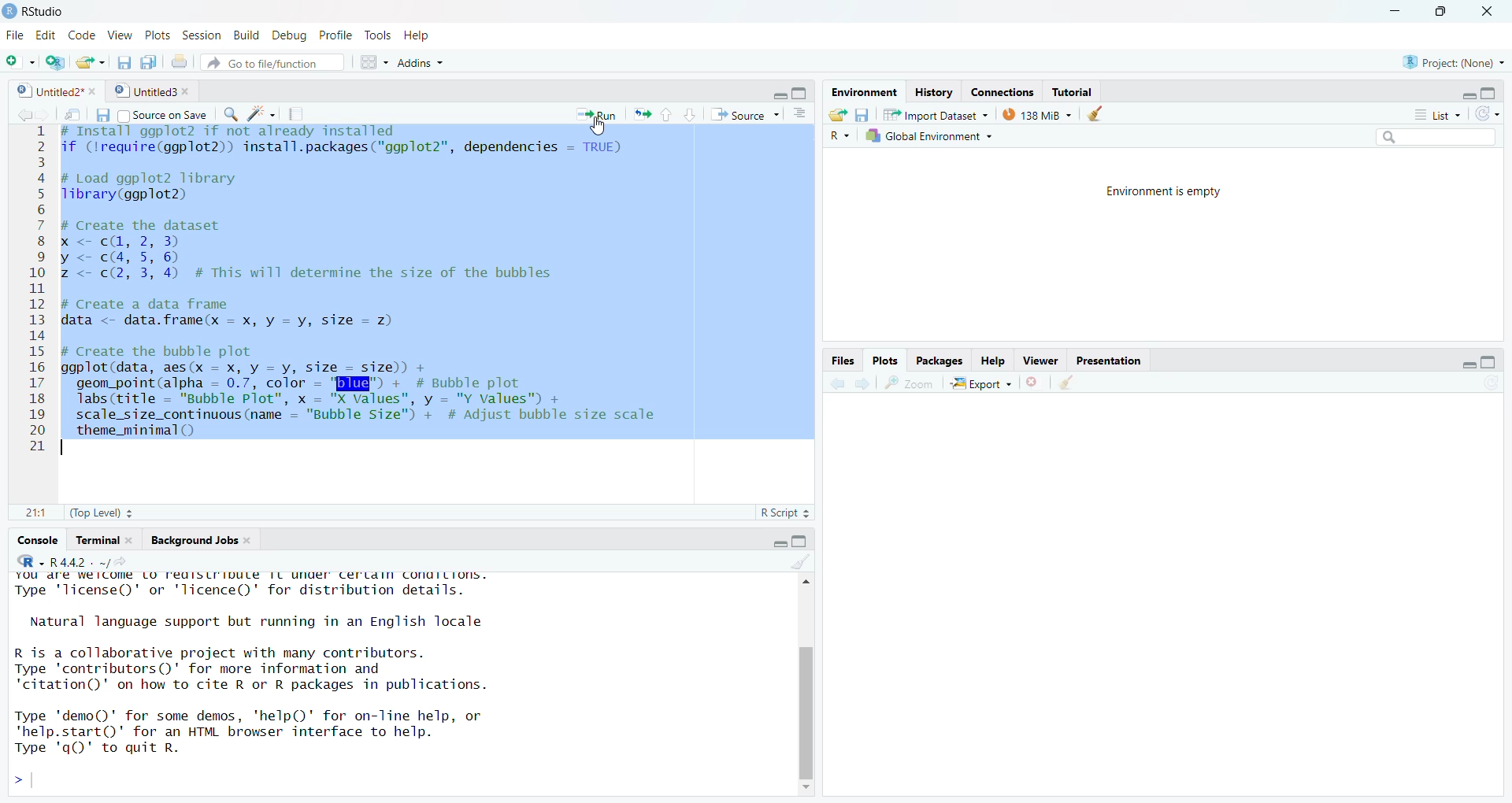  I want to click on Console, so click(37, 539).